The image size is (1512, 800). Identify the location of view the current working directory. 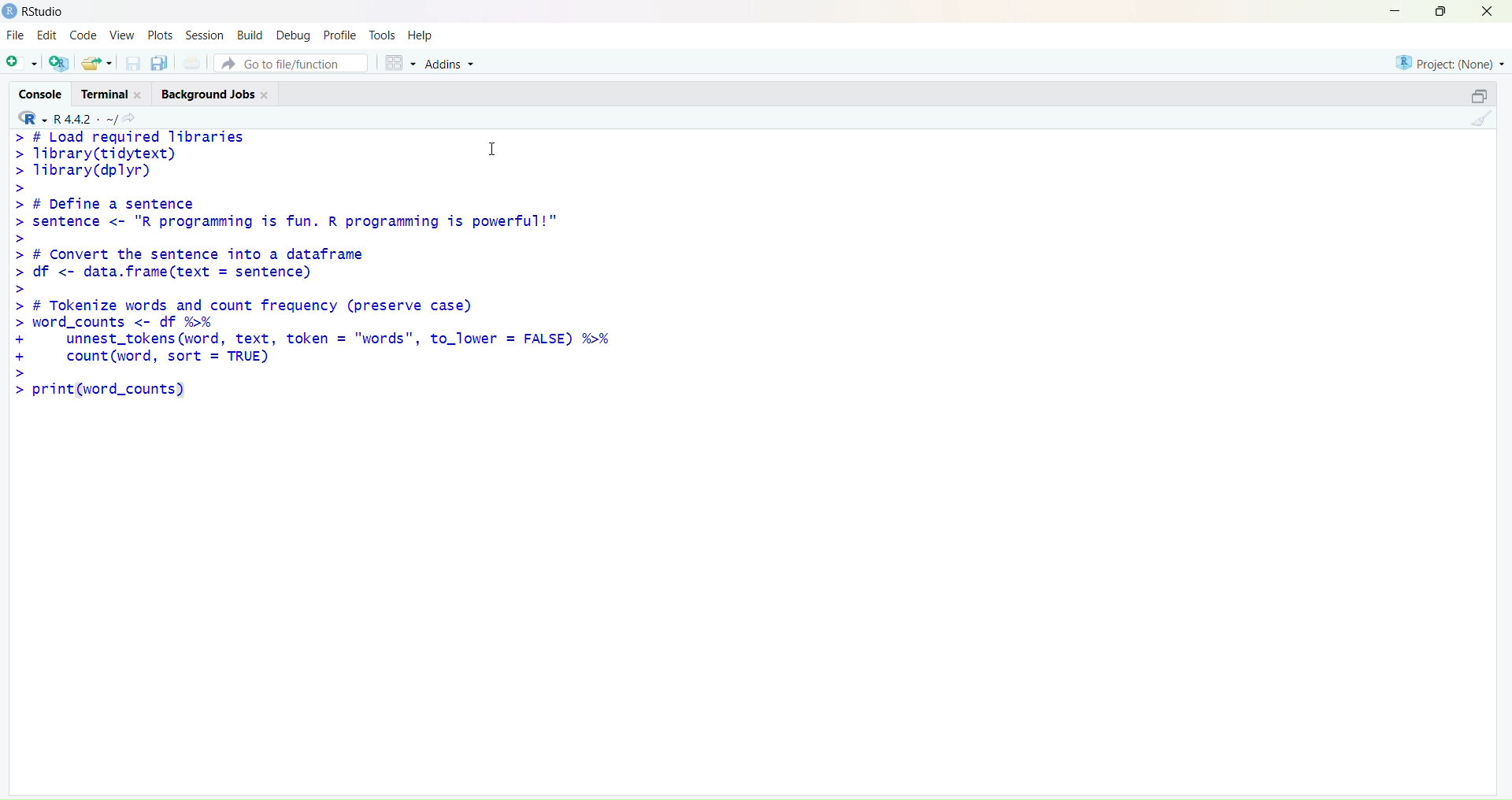
(130, 120).